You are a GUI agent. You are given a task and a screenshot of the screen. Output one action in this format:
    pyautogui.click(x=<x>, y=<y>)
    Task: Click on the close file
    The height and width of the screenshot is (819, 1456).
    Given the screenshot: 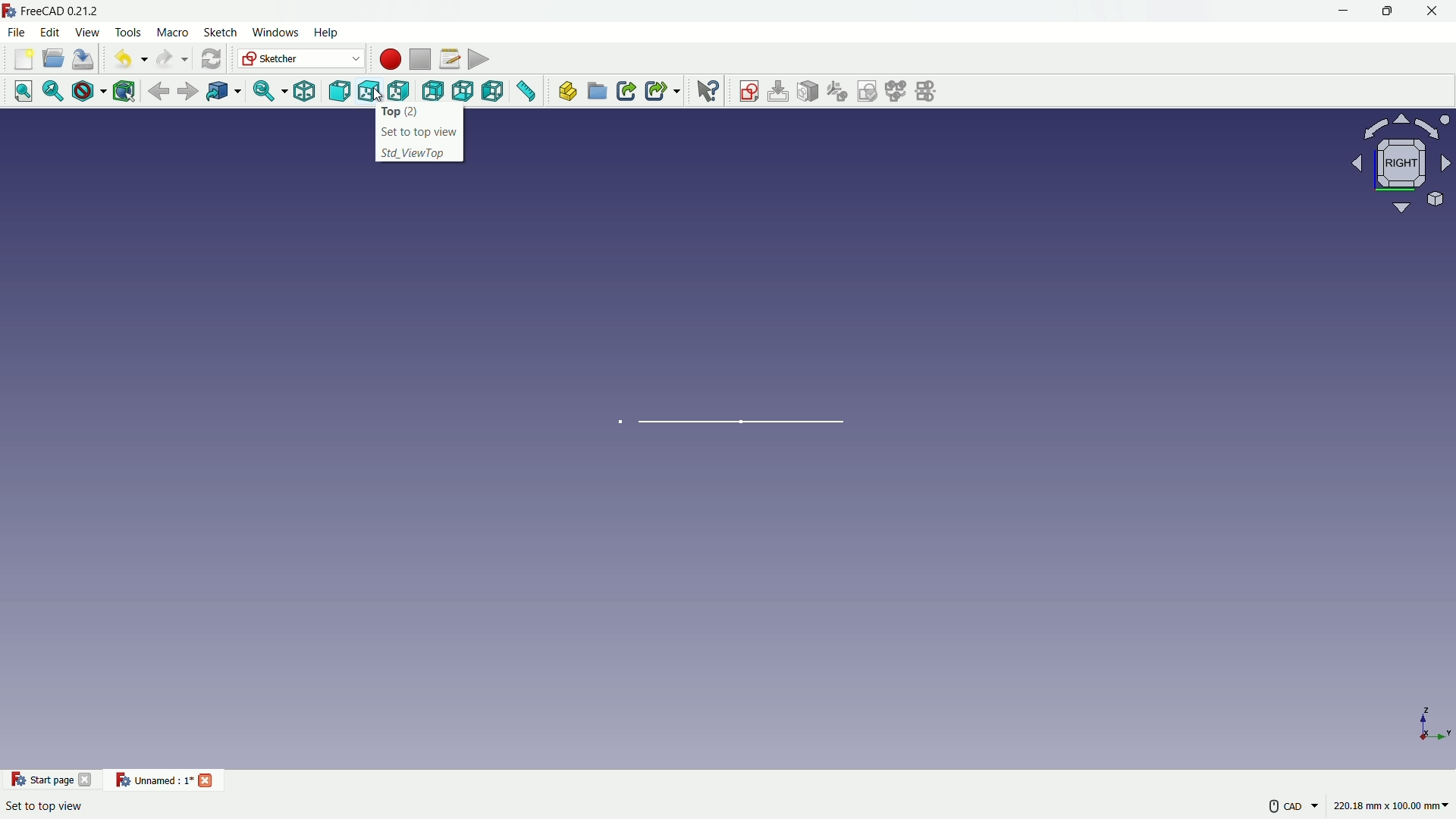 What is the action you would take?
    pyautogui.click(x=206, y=779)
    